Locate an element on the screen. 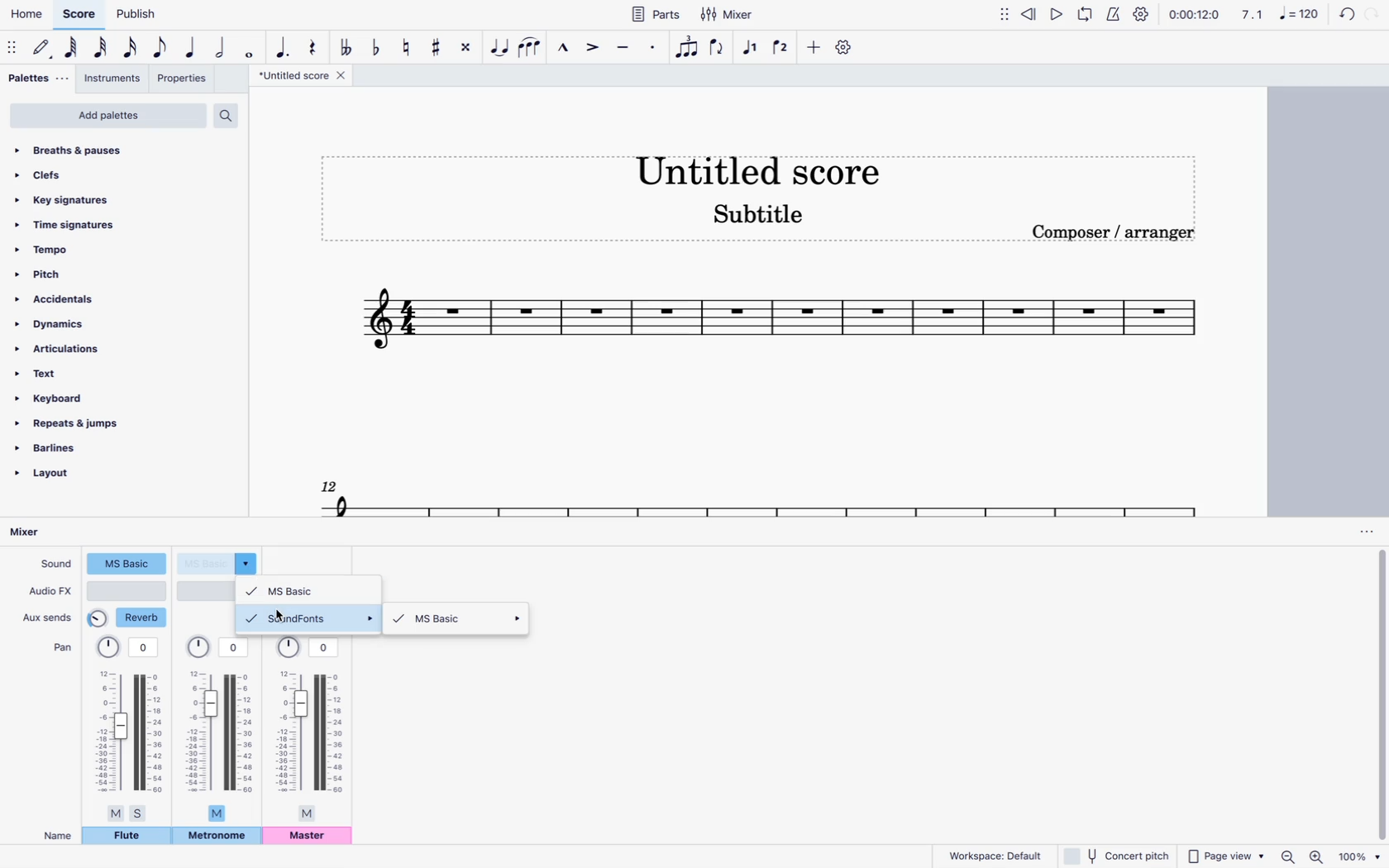  clefs is located at coordinates (114, 173).